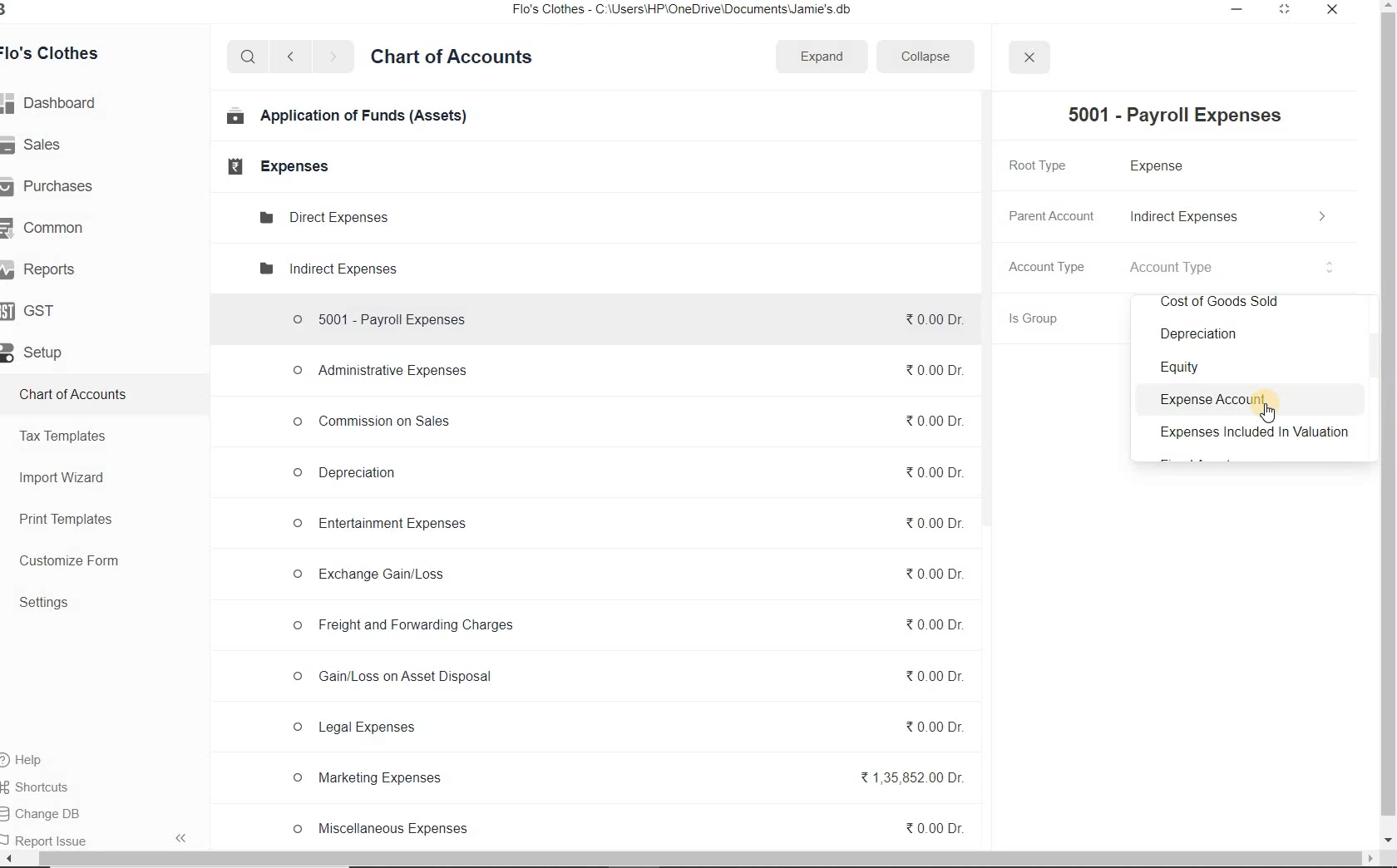 Image resolution: width=1397 pixels, height=868 pixels. What do you see at coordinates (1369, 860) in the screenshot?
I see `move right` at bounding box center [1369, 860].